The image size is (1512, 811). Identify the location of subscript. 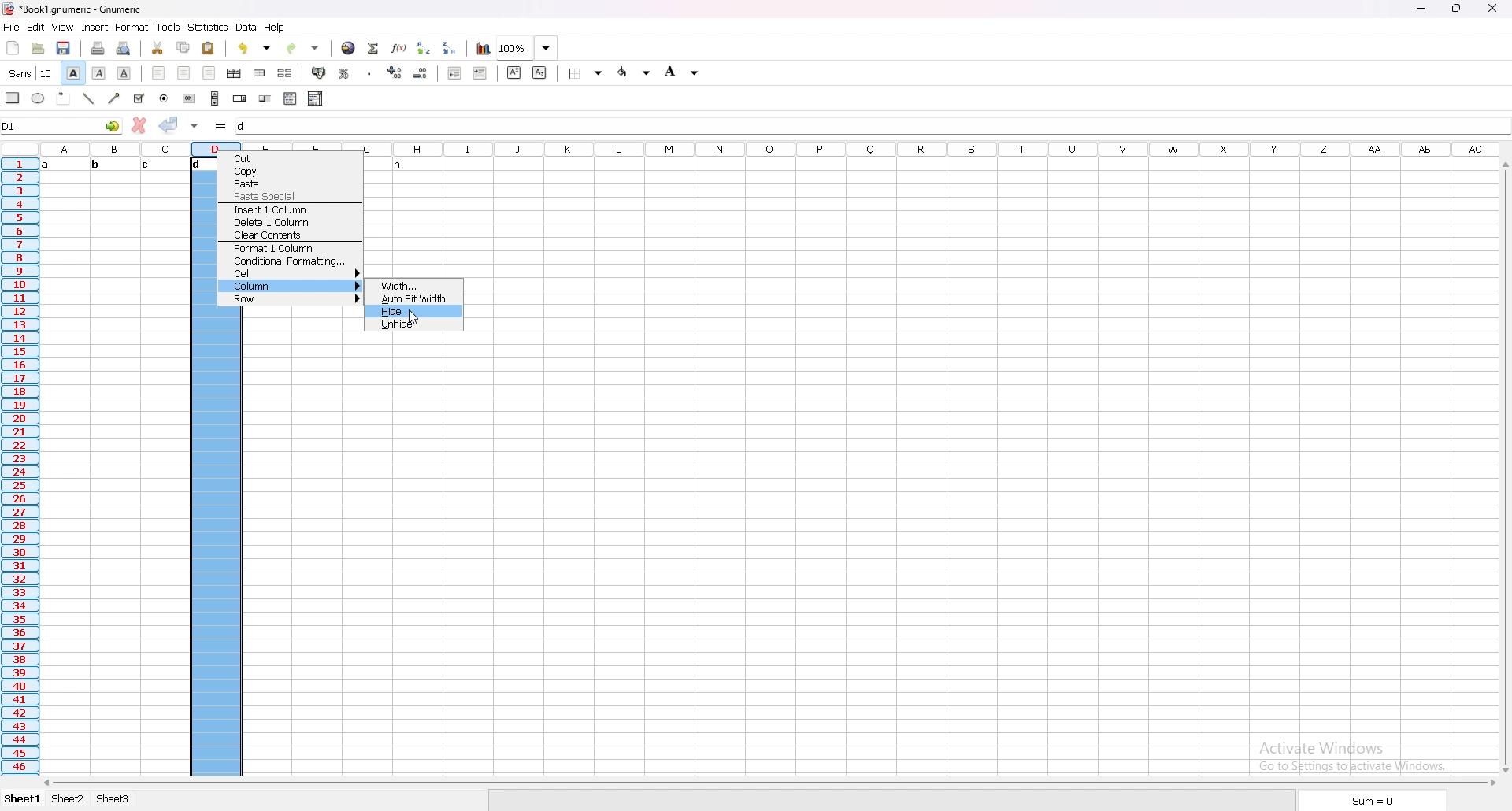
(539, 72).